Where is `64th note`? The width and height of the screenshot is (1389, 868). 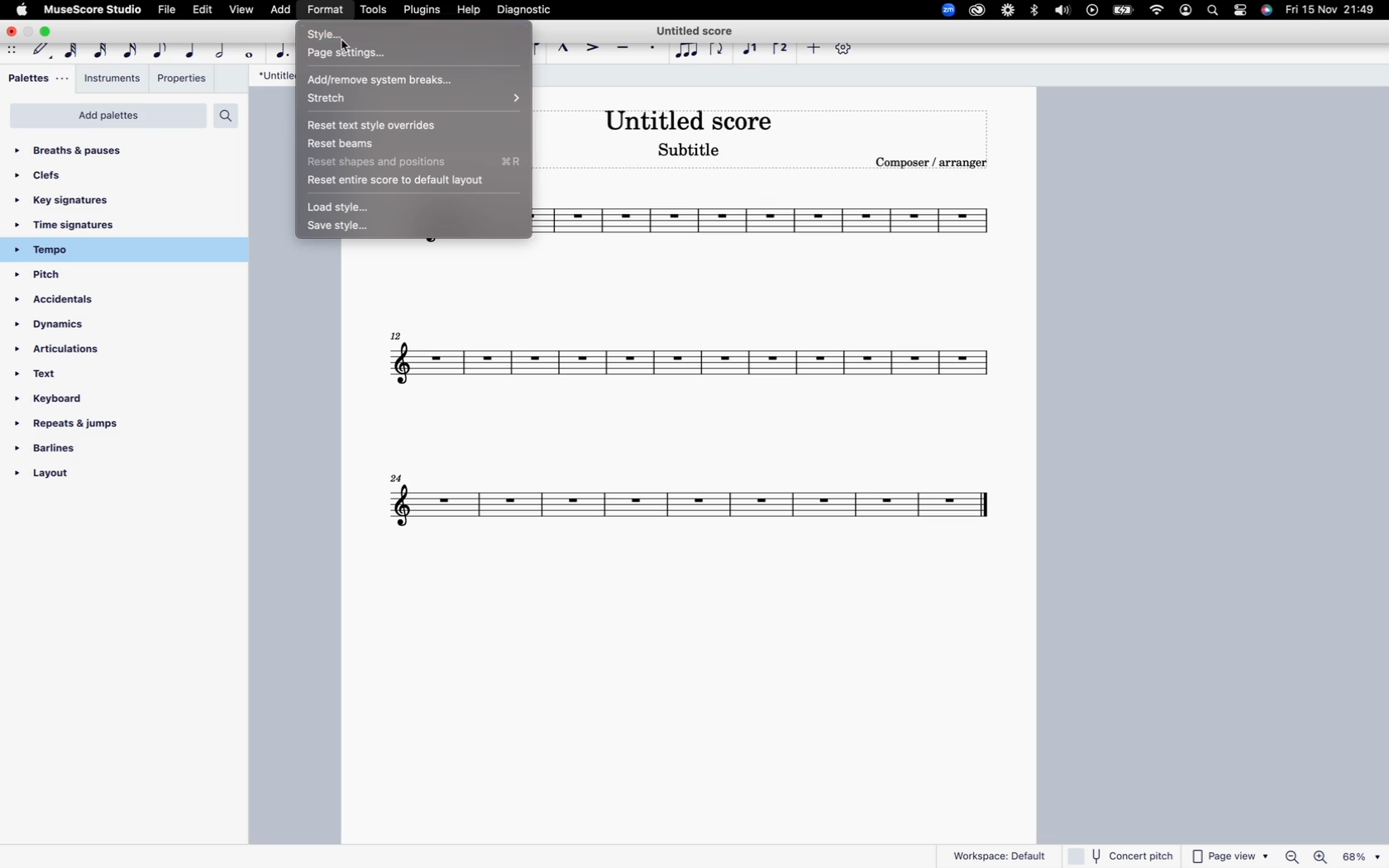
64th note is located at coordinates (73, 49).